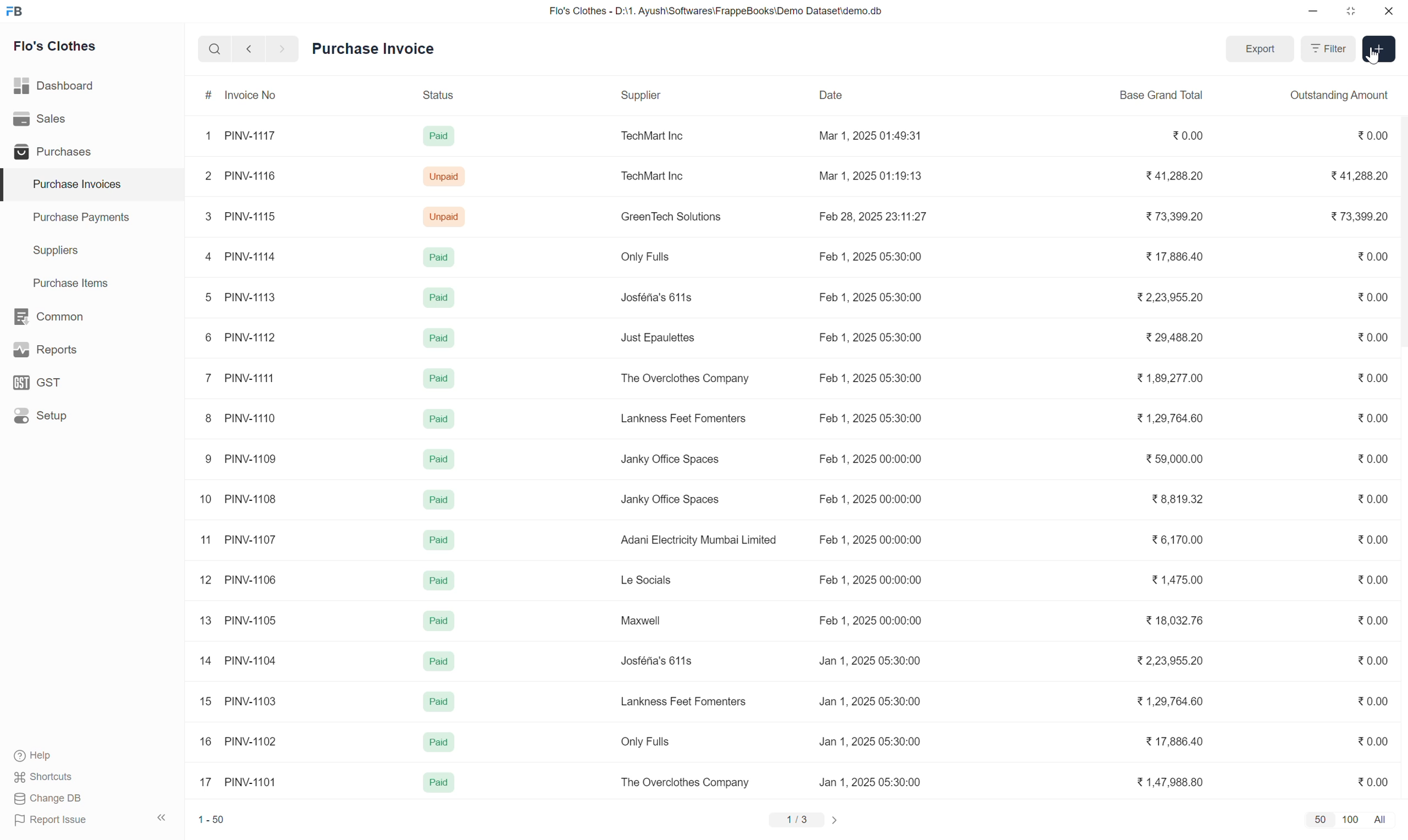 The width and height of the screenshot is (1408, 840). I want to click on 0.00, so click(1369, 135).